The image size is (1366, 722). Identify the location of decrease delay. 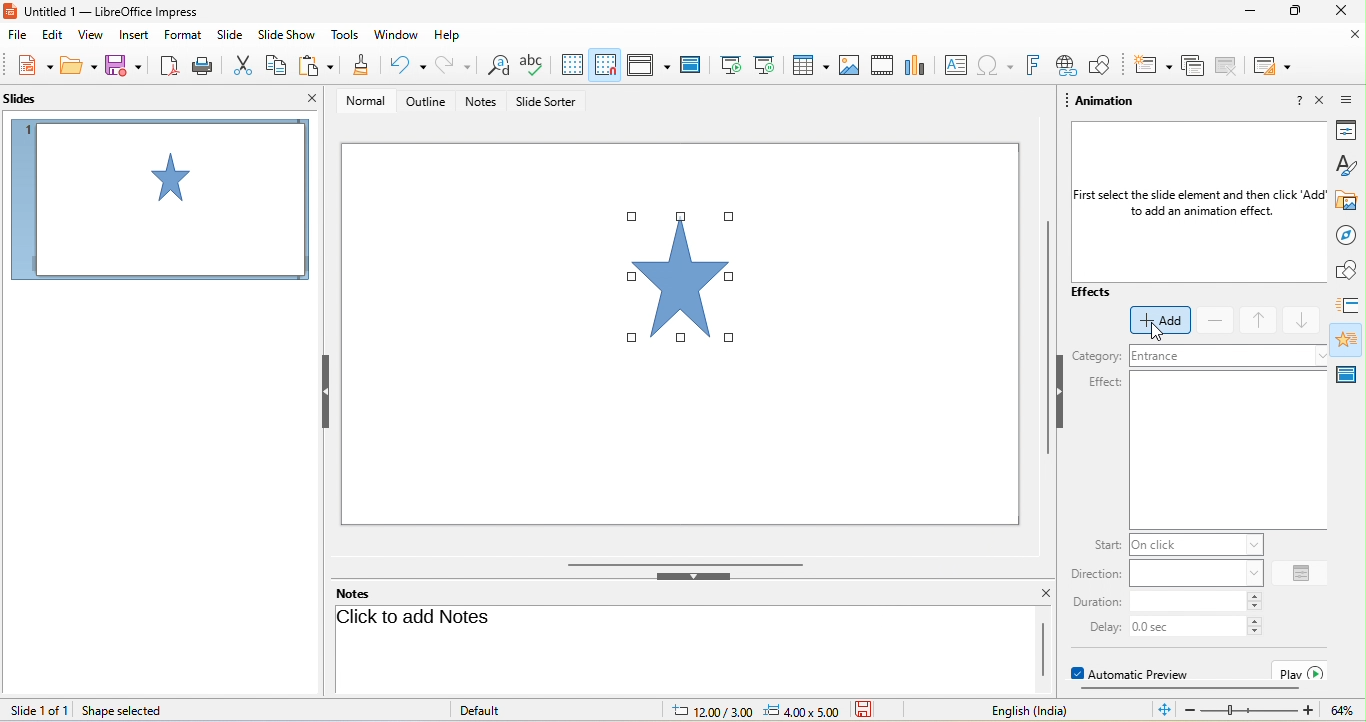
(1255, 632).